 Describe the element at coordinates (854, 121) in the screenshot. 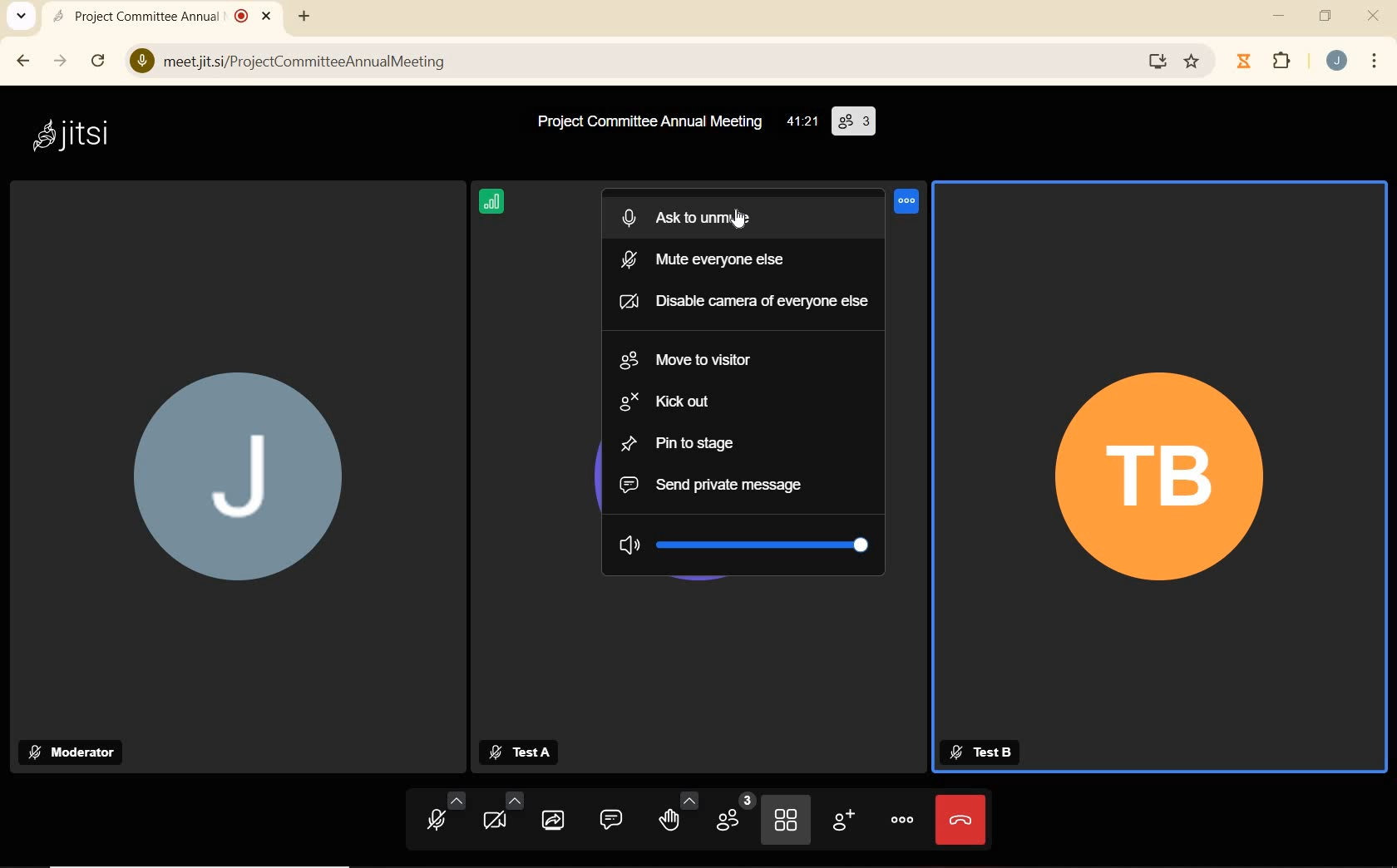

I see `PARTICIPANTS (3)` at that location.